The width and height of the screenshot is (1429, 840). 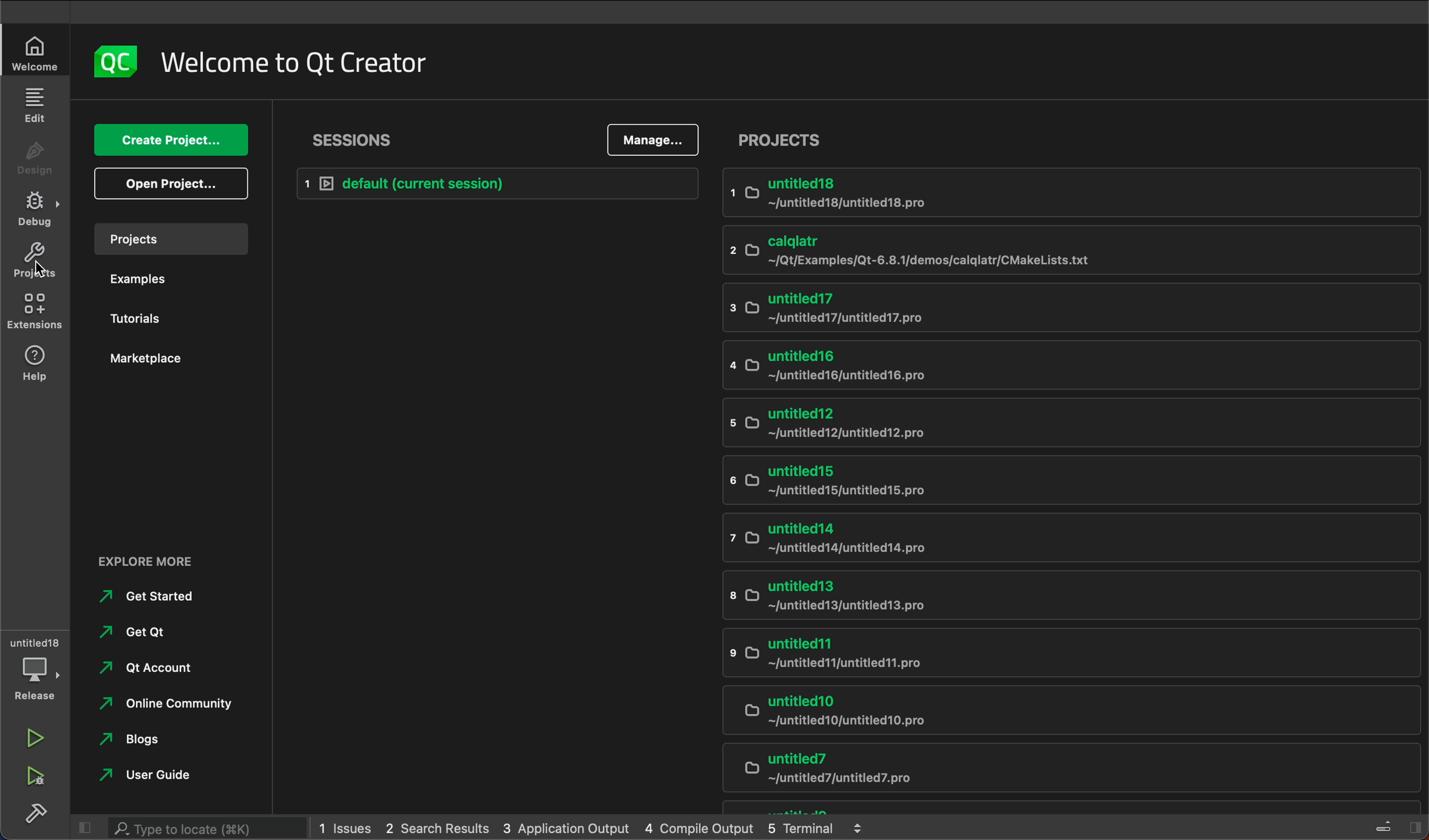 I want to click on projects, so click(x=173, y=237).